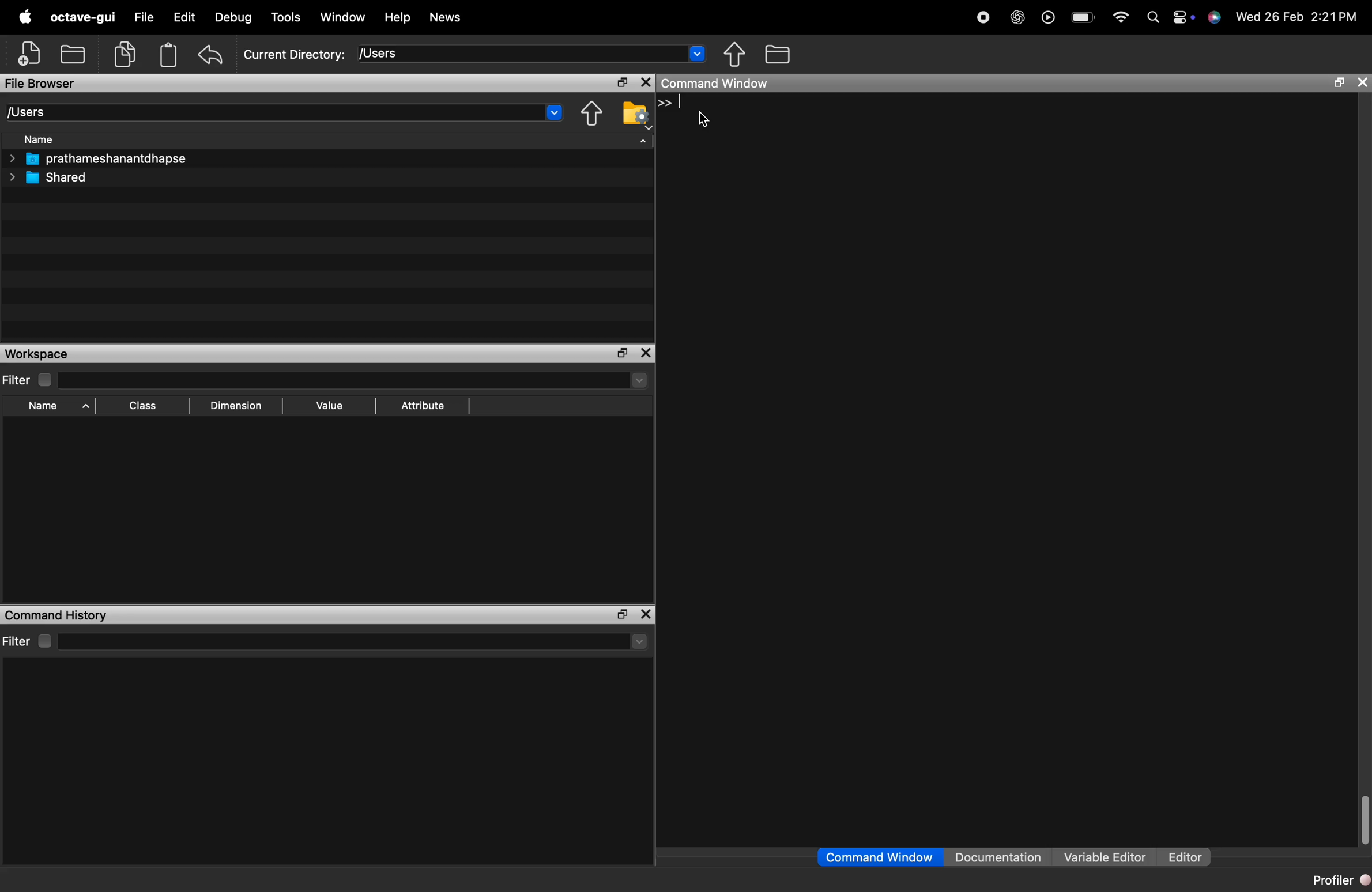  Describe the element at coordinates (1000, 857) in the screenshot. I see `Documentation` at that location.